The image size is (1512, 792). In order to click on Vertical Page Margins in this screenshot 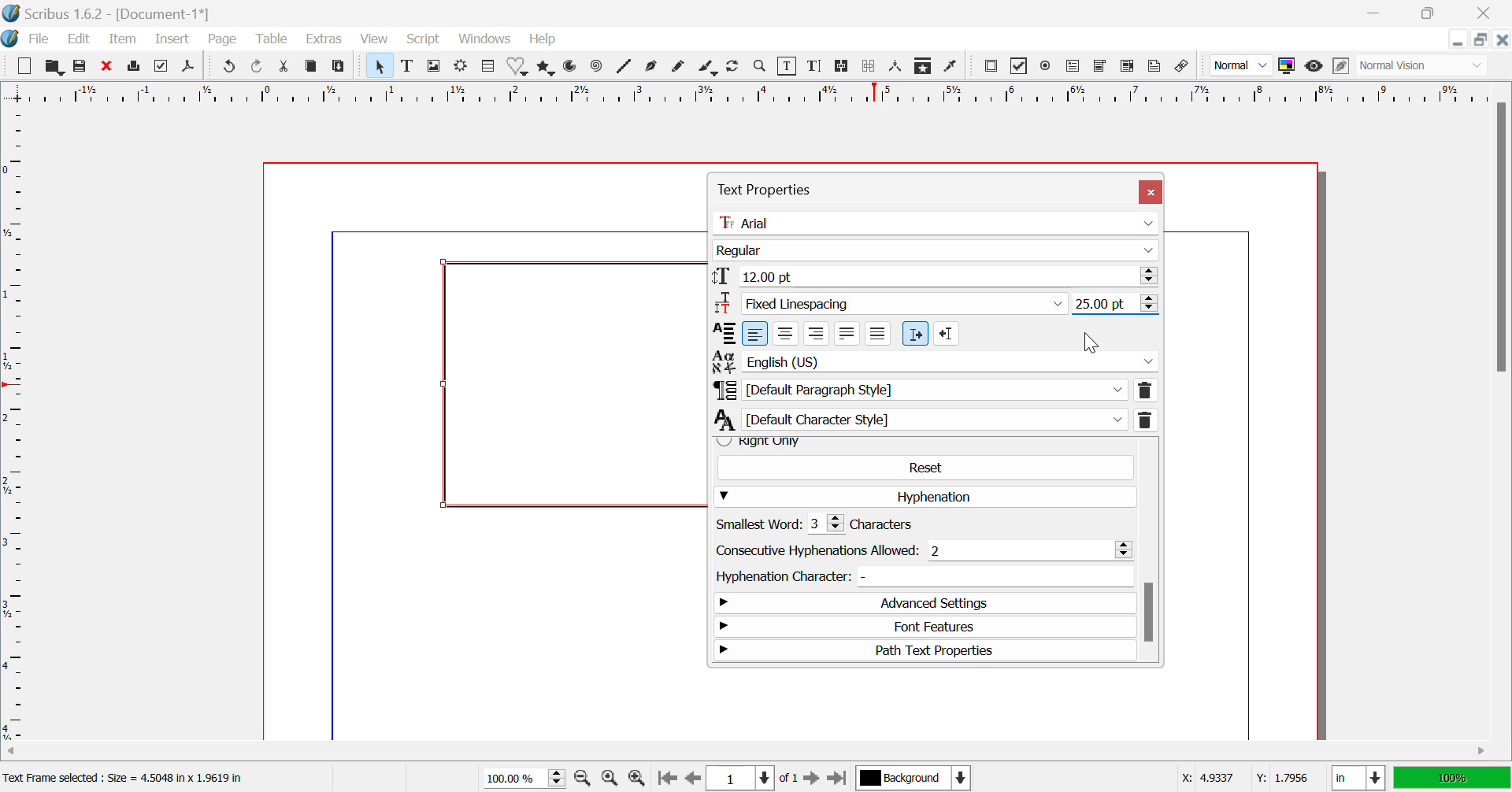, I will do `click(752, 94)`.